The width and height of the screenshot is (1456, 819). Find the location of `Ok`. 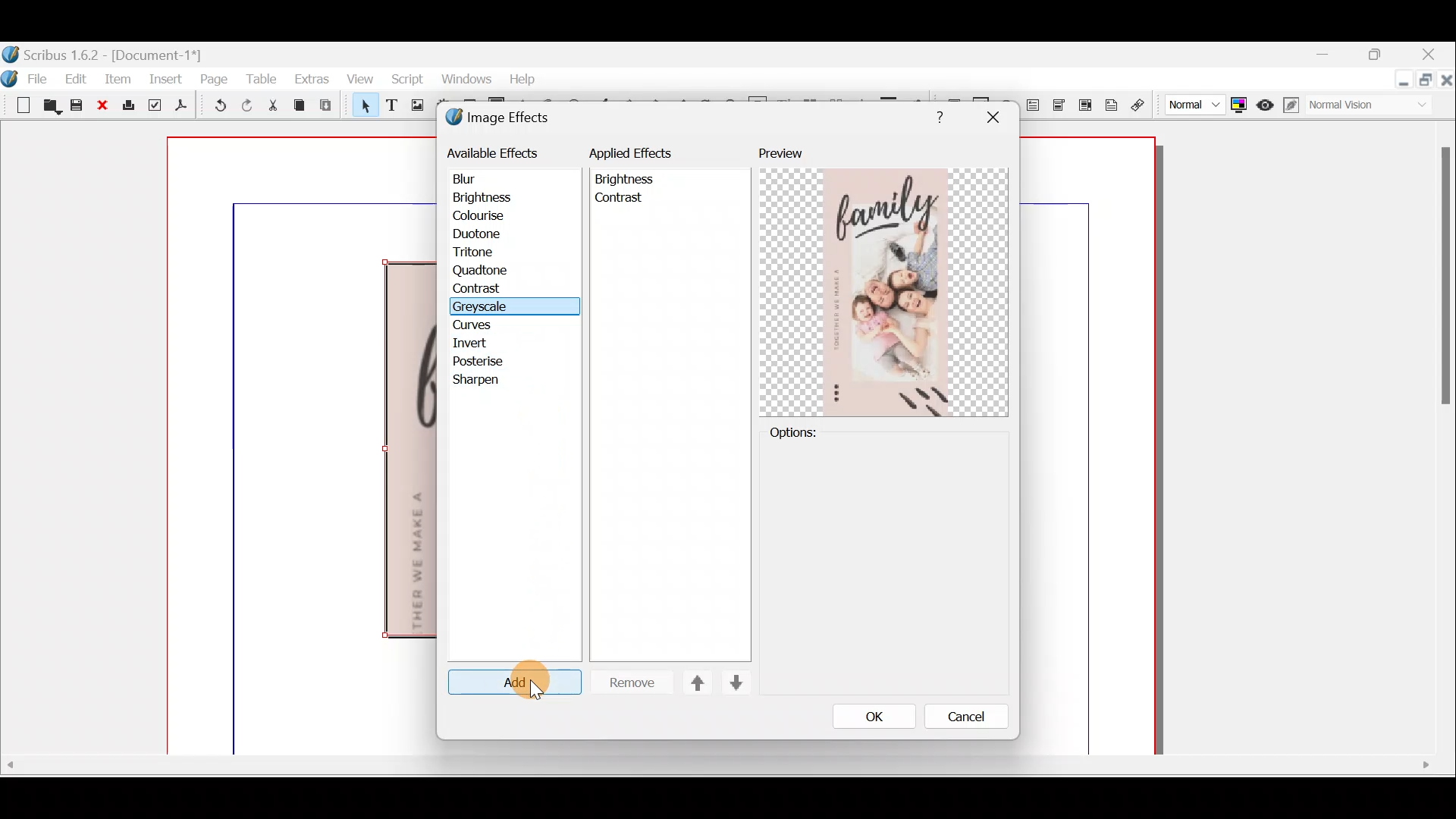

Ok is located at coordinates (874, 717).